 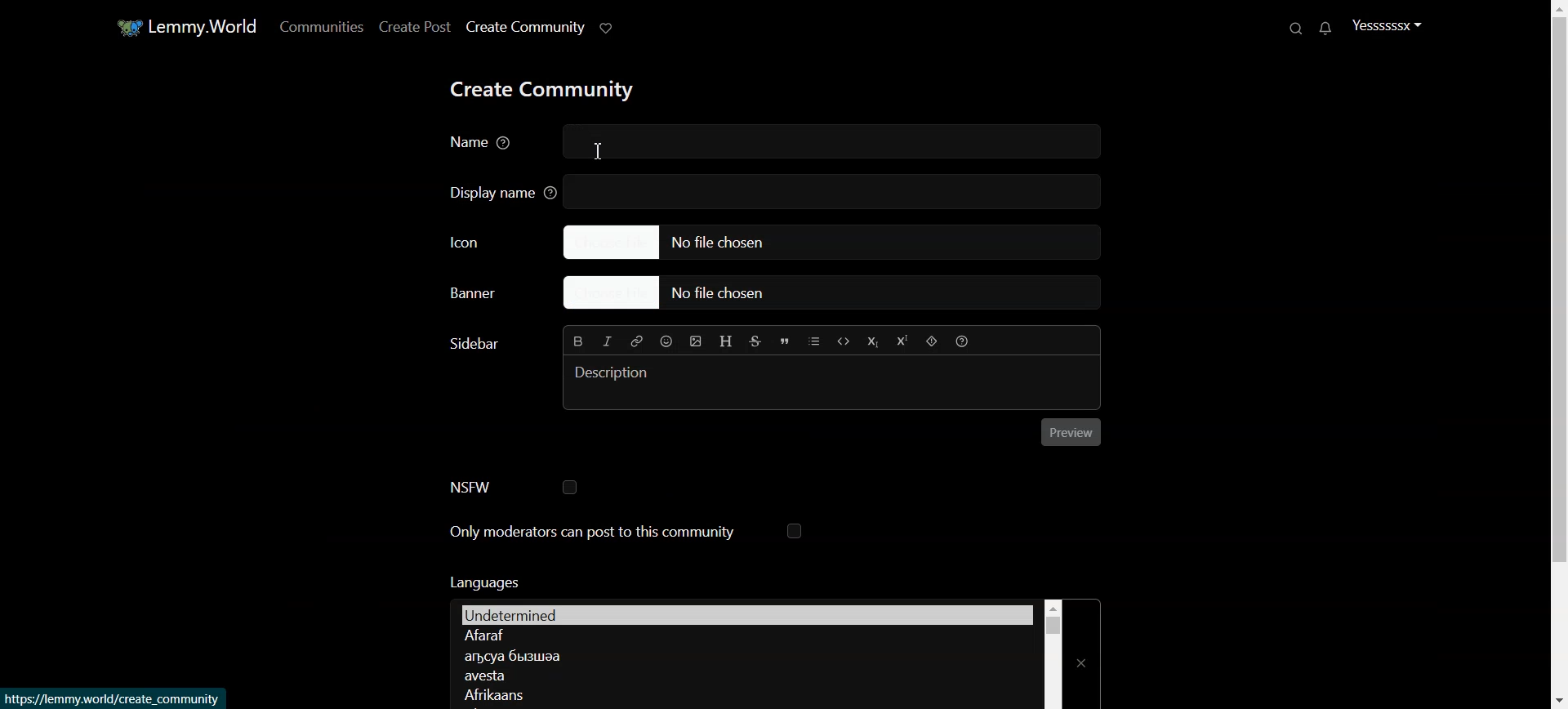 What do you see at coordinates (635, 341) in the screenshot?
I see `Hyperlink` at bounding box center [635, 341].